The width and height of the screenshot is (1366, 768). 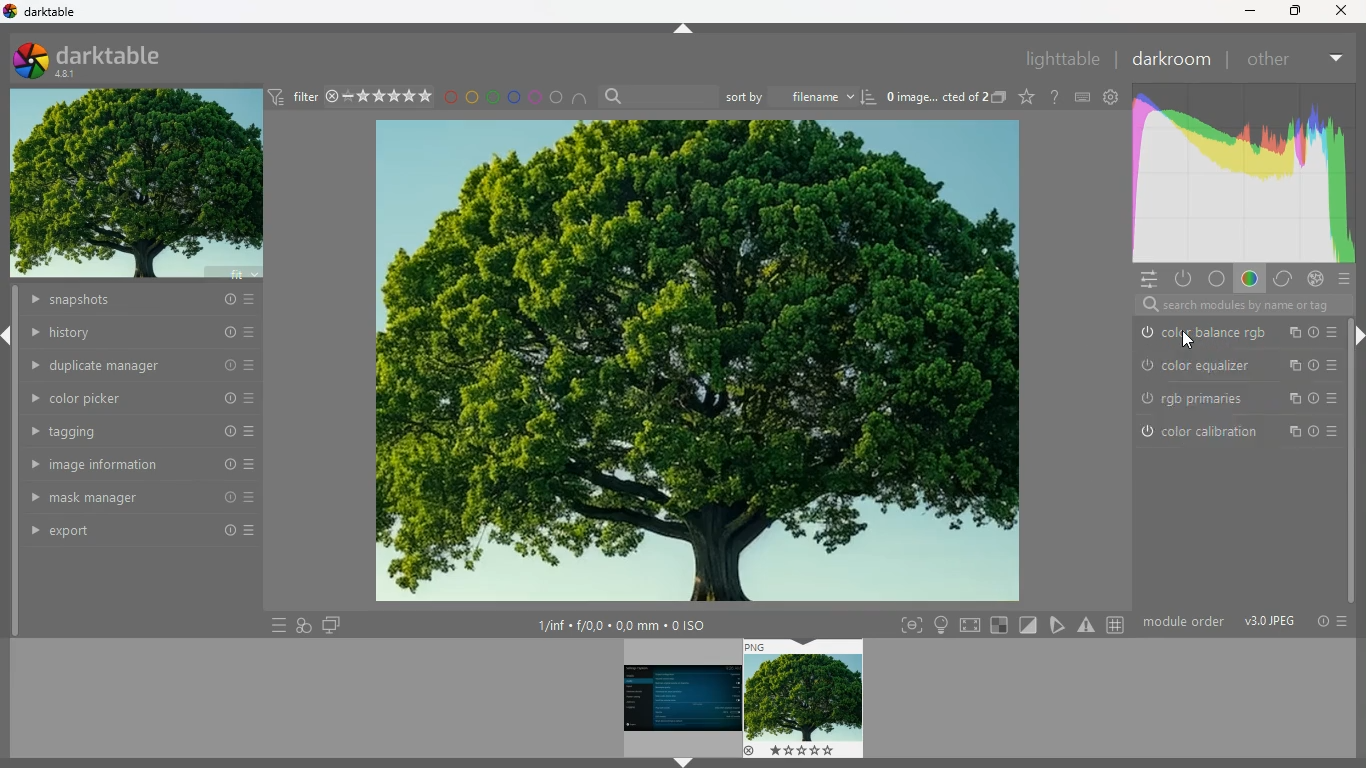 What do you see at coordinates (1292, 10) in the screenshot?
I see `maximize` at bounding box center [1292, 10].